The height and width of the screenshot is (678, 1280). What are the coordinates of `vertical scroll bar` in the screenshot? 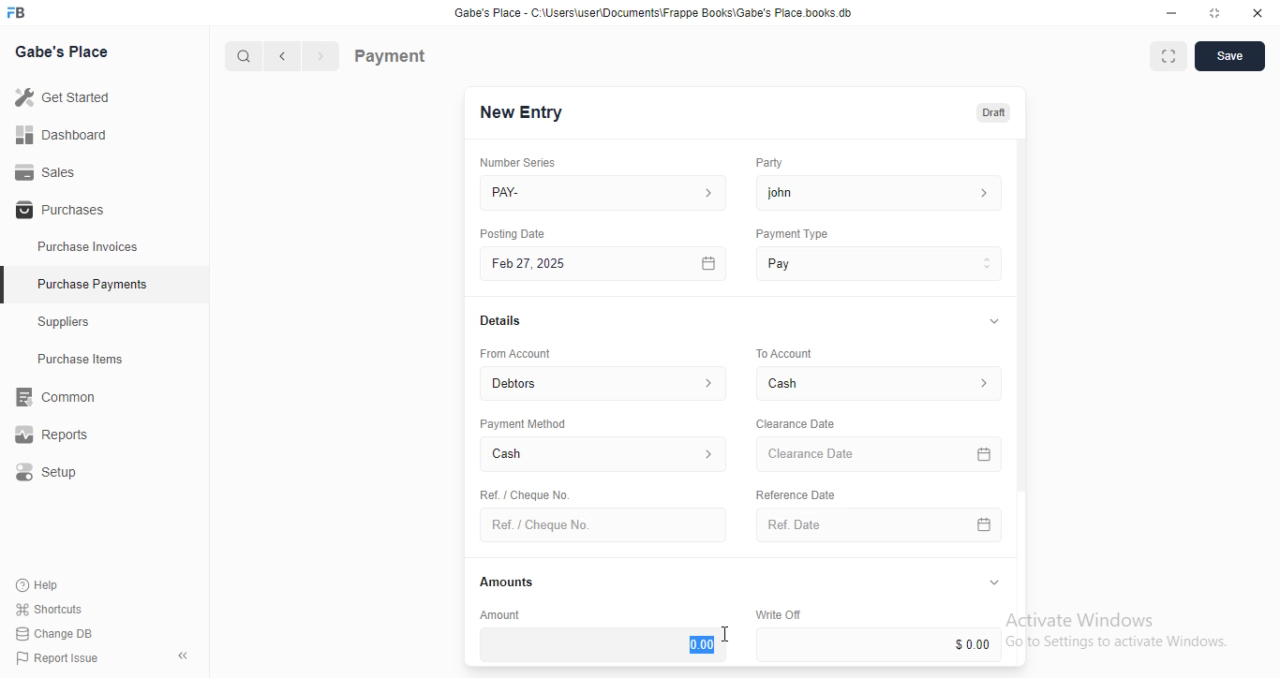 It's located at (1022, 403).